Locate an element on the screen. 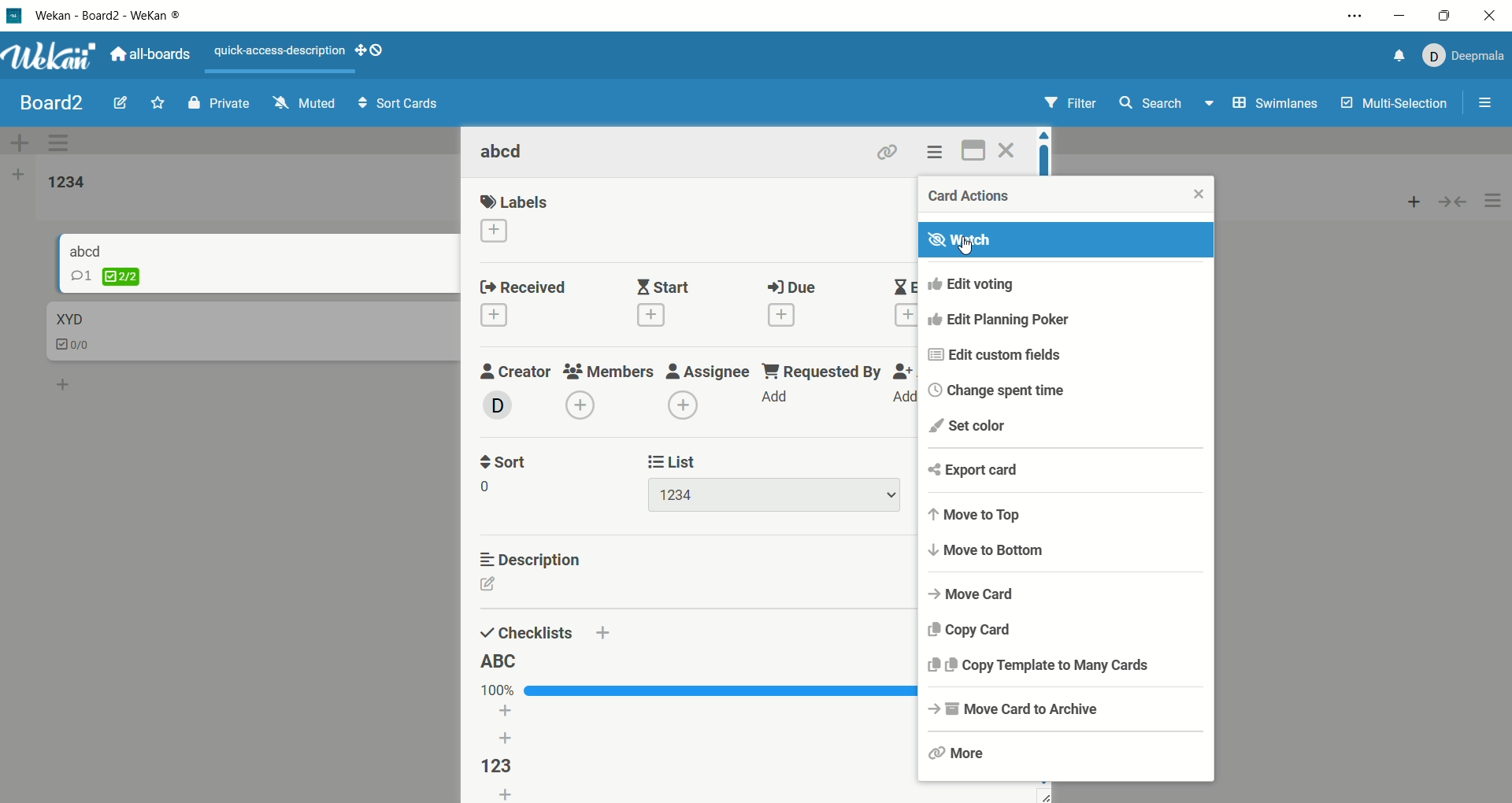 Image resolution: width=1512 pixels, height=803 pixels. logo is located at coordinates (16, 15).